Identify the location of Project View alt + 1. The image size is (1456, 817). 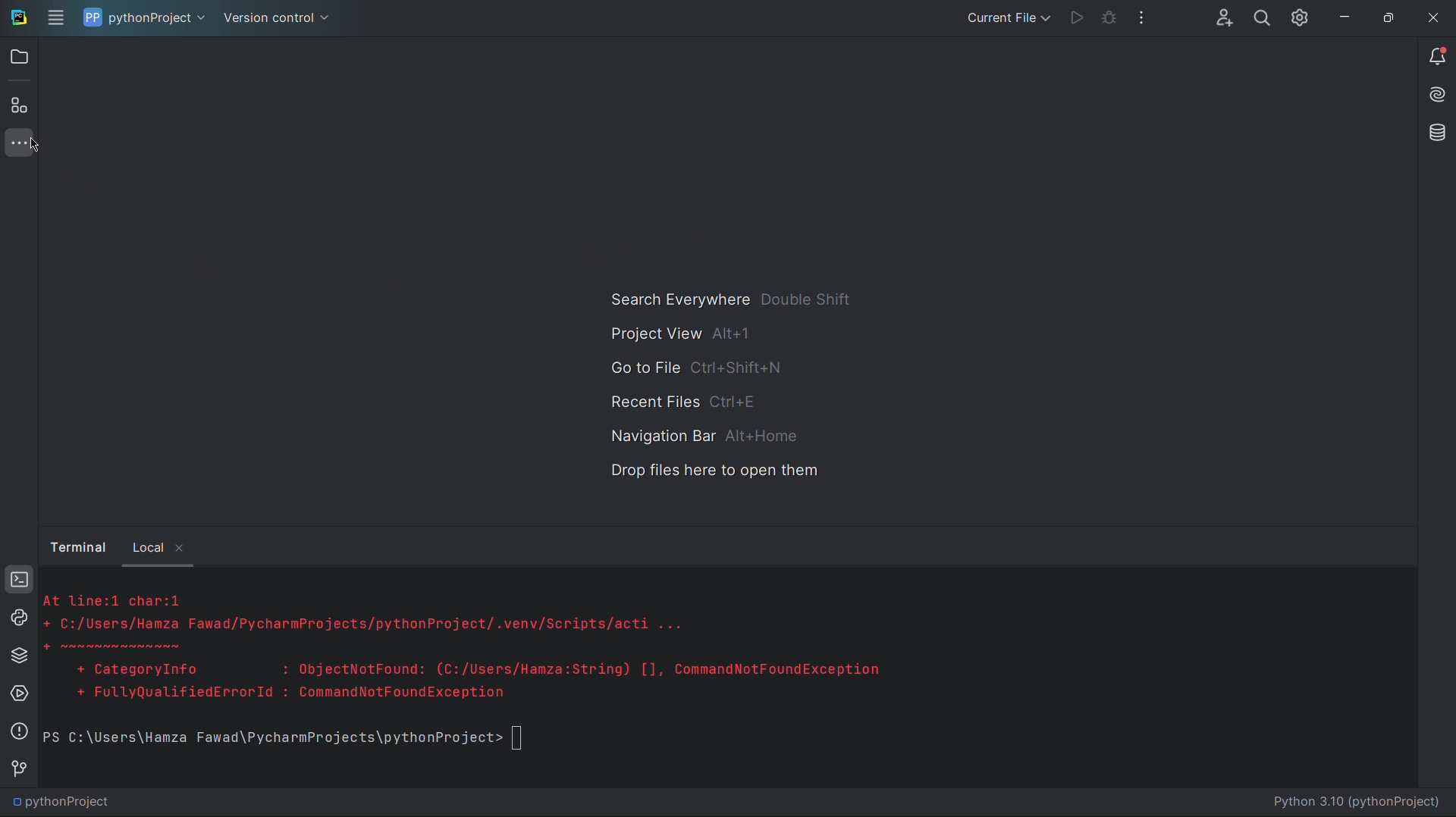
(675, 334).